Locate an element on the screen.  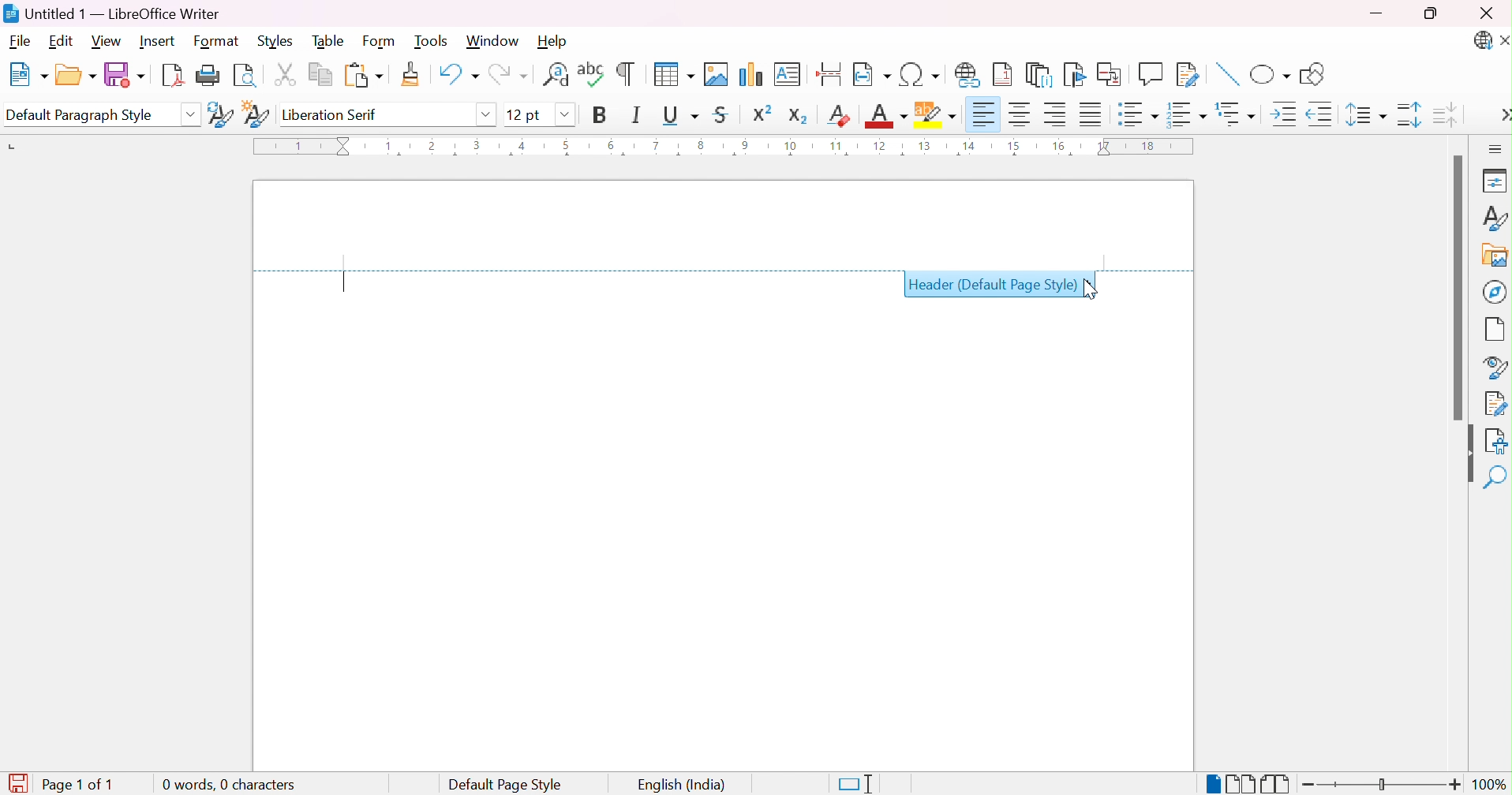
Default paragraph style is located at coordinates (82, 117).